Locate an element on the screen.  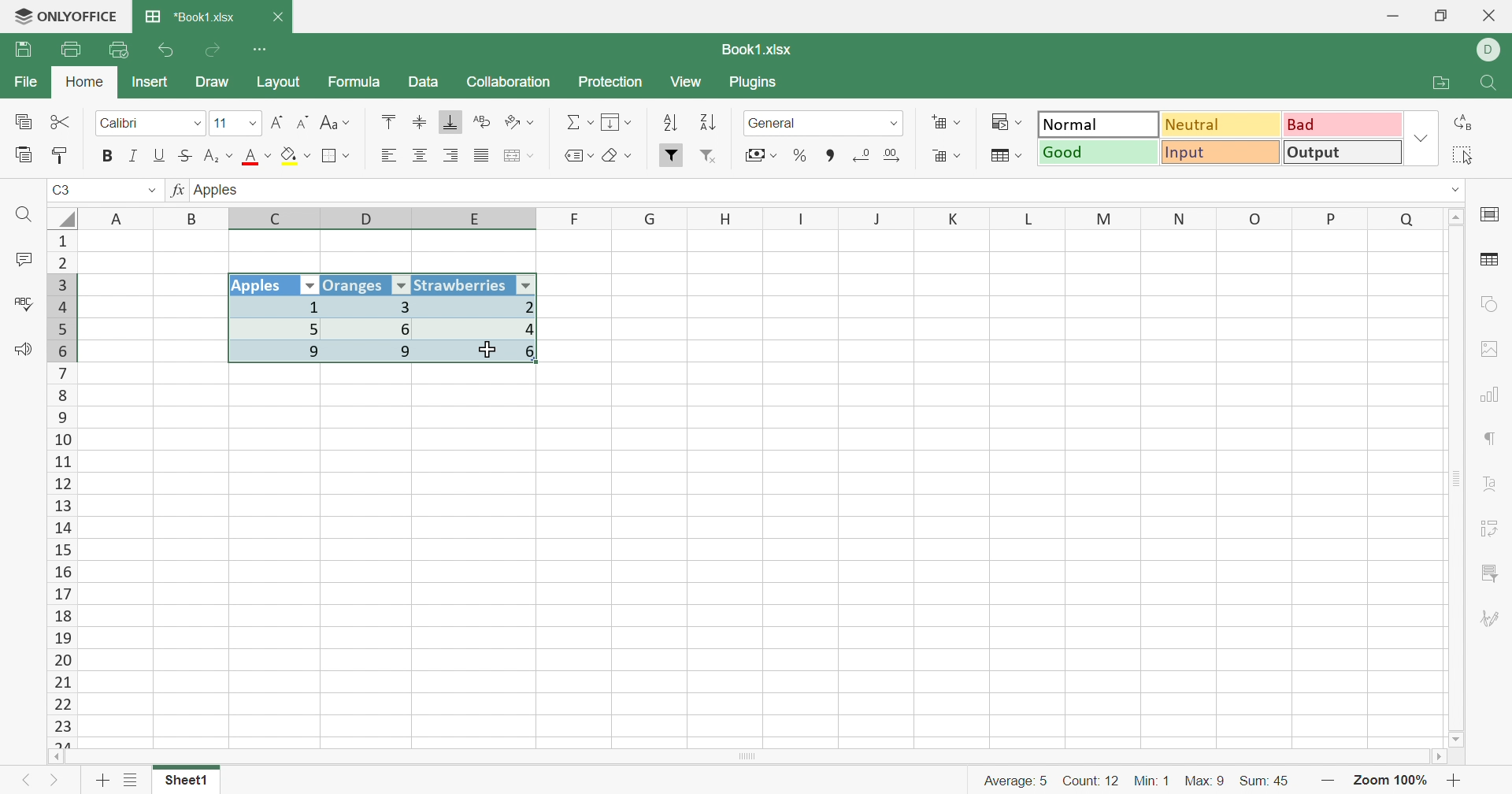
Print is located at coordinates (70, 50).